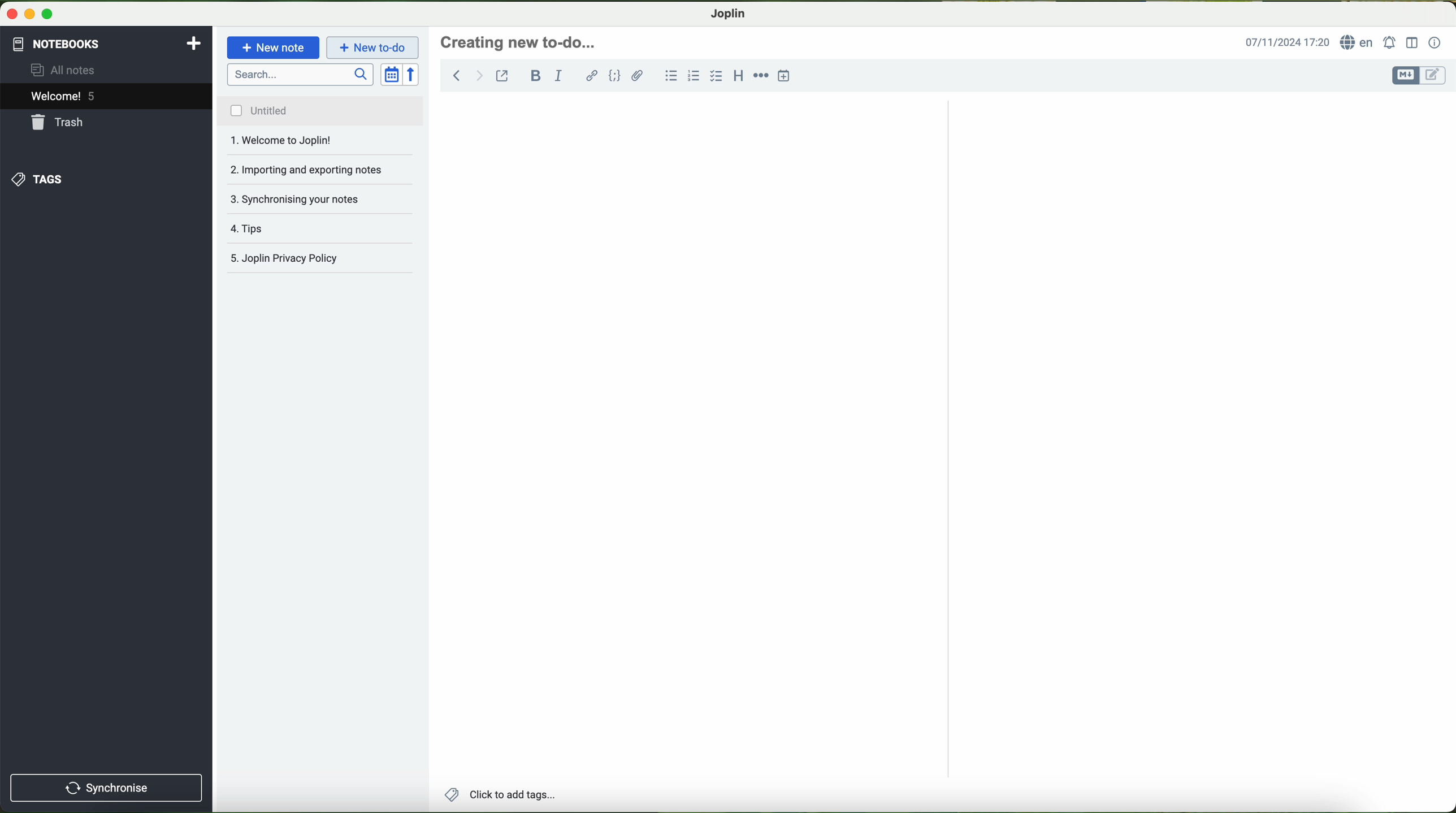 The image size is (1456, 813). Describe the element at coordinates (320, 144) in the screenshot. I see `importing and exporting notes` at that location.